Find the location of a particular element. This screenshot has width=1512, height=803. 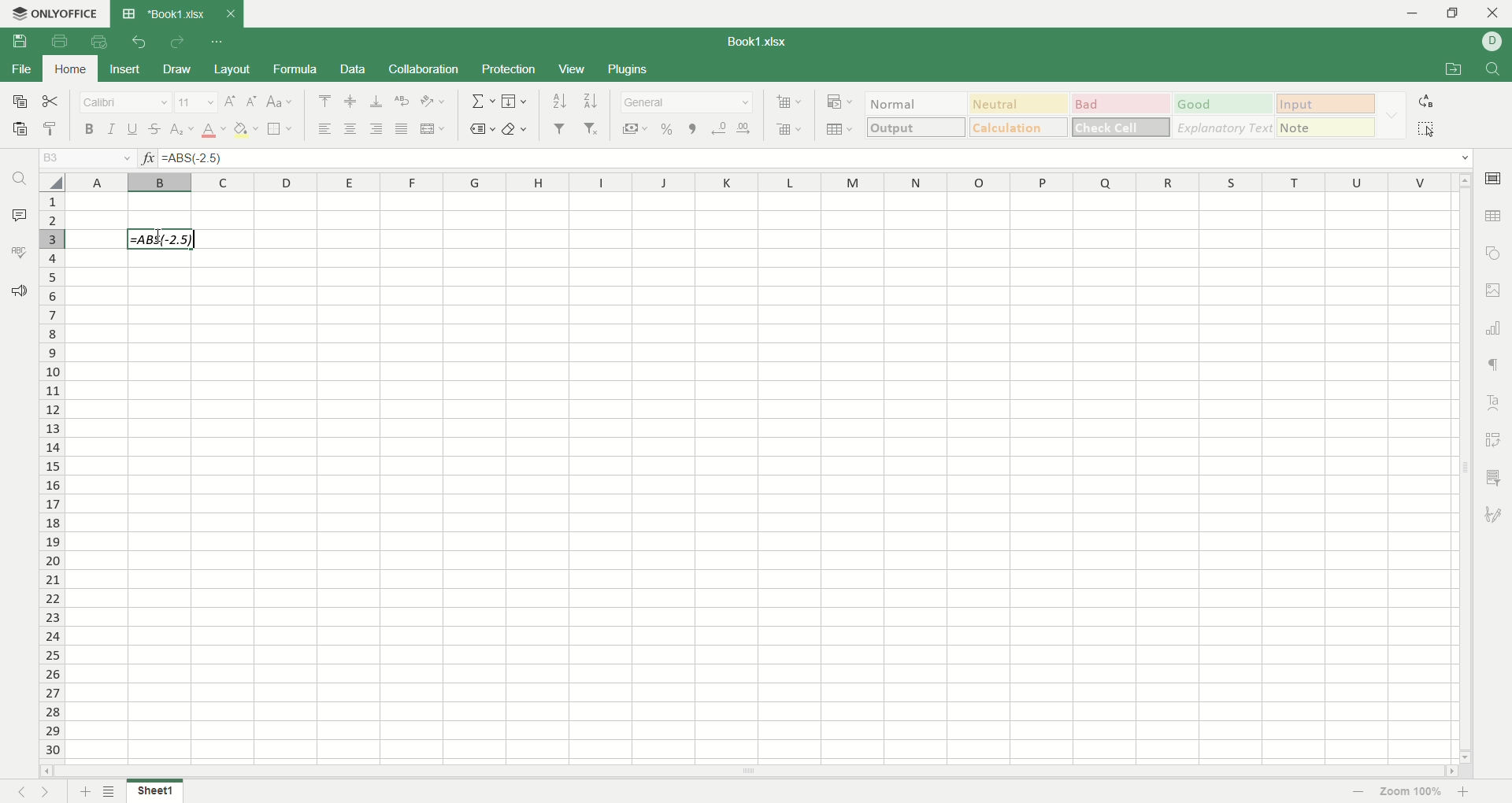

insert is located at coordinates (121, 70).